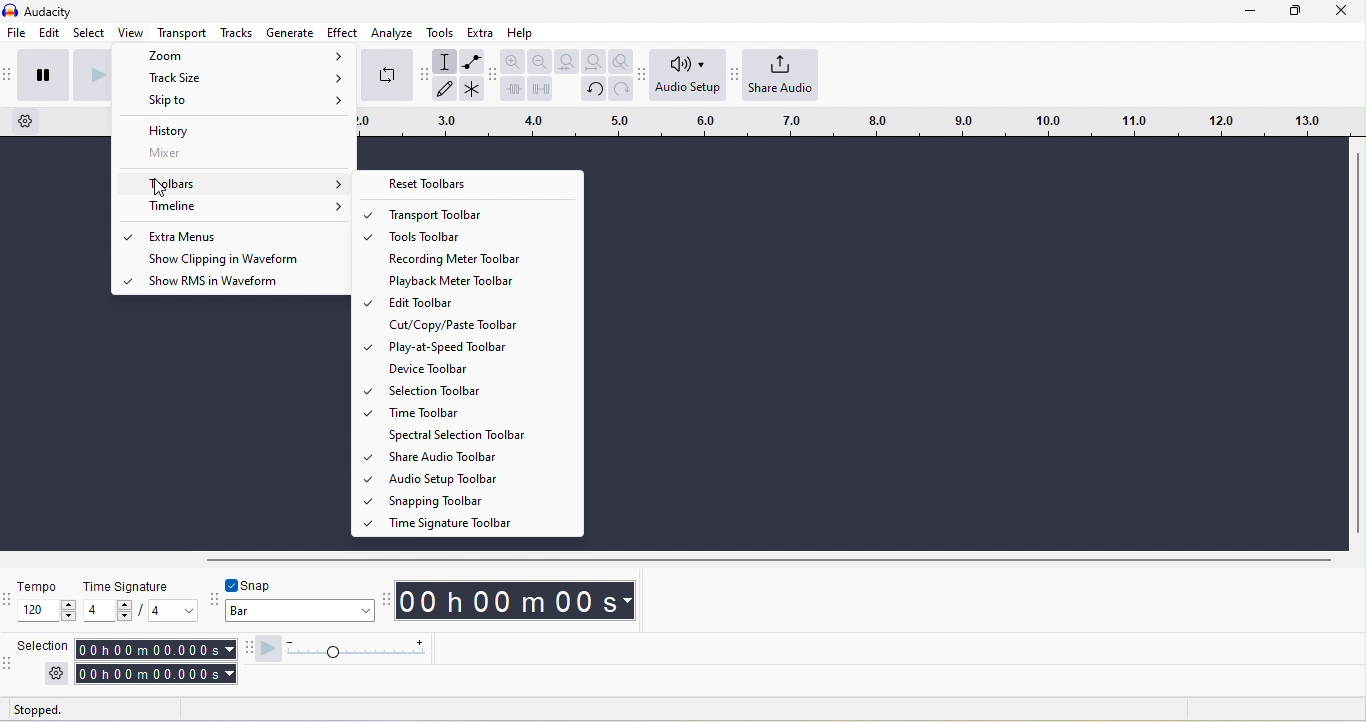  Describe the element at coordinates (10, 10) in the screenshot. I see `audacity logo` at that location.